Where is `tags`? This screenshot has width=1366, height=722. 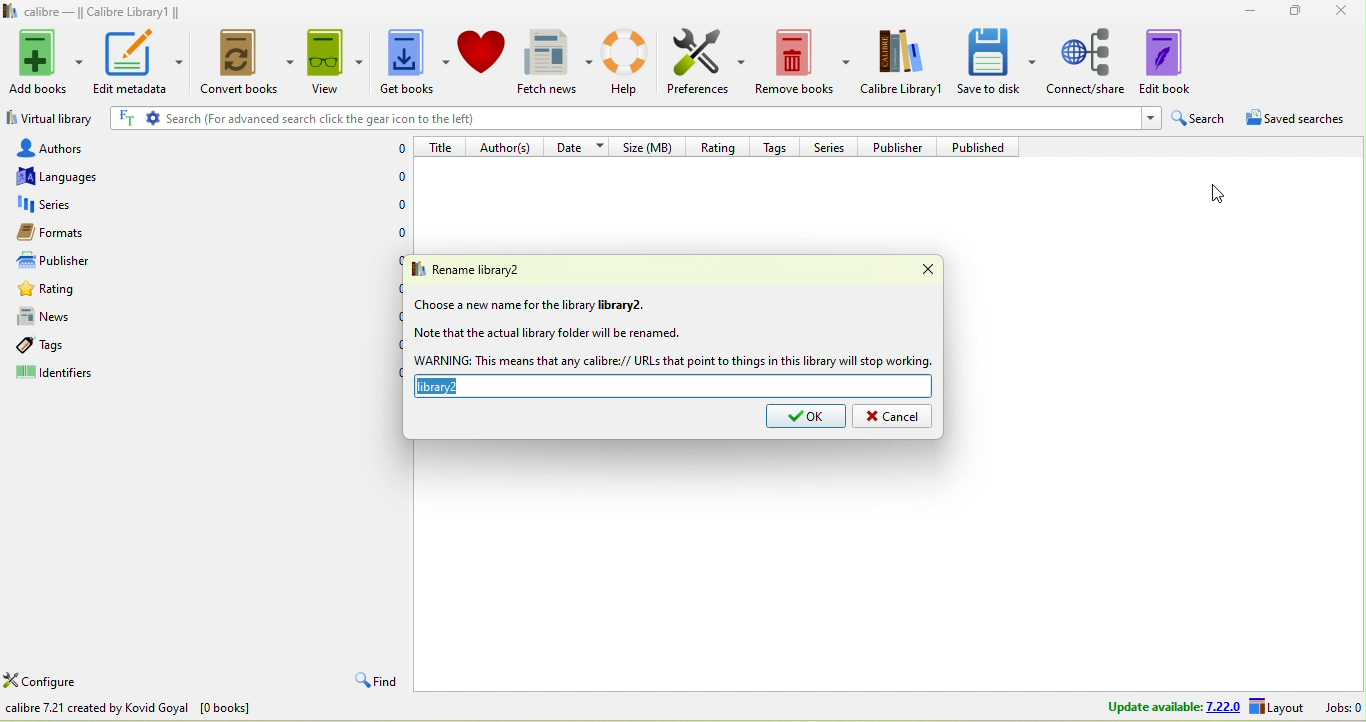
tags is located at coordinates (779, 145).